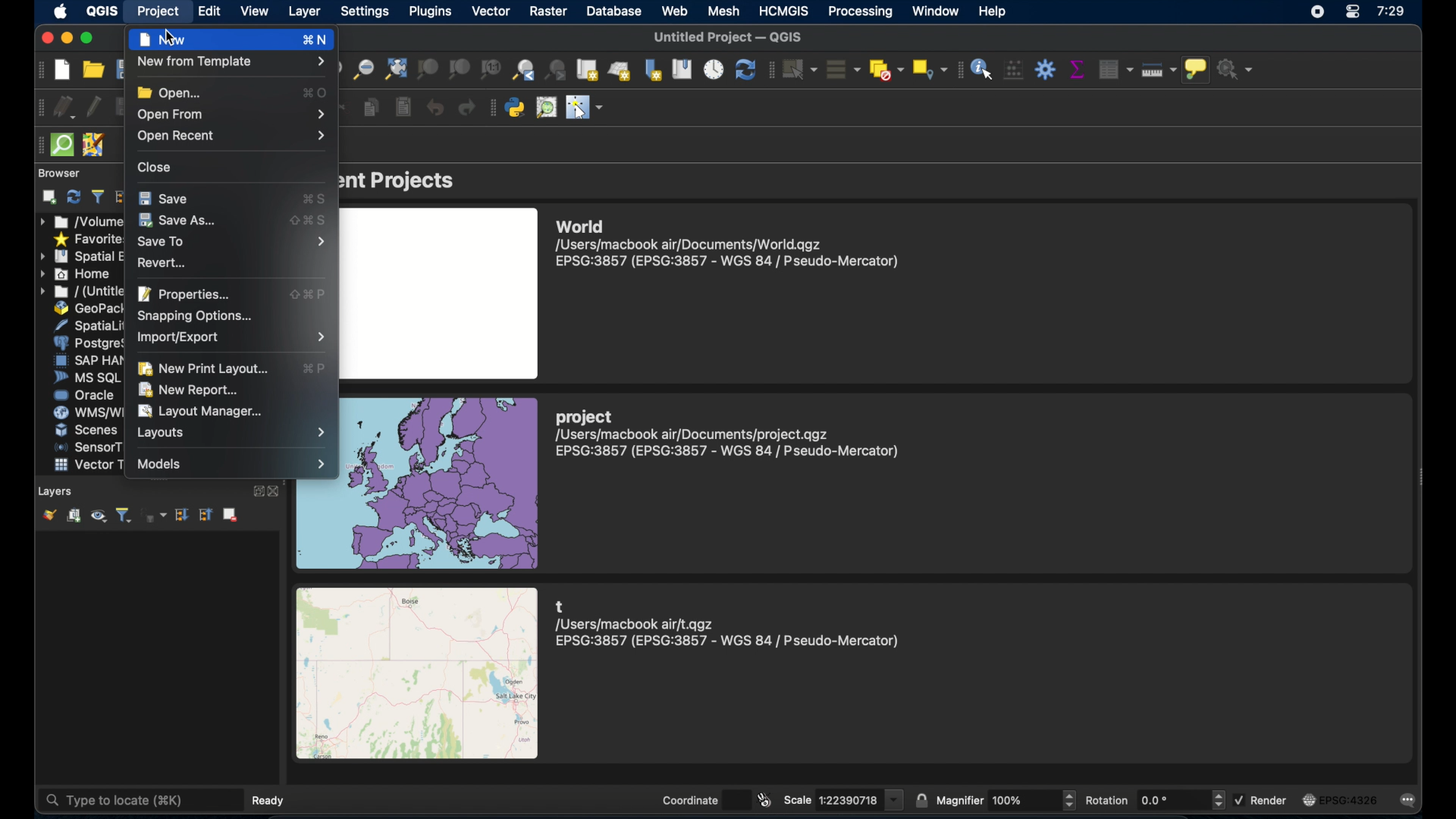 The image size is (1456, 819). Describe the element at coordinates (61, 71) in the screenshot. I see `new project` at that location.